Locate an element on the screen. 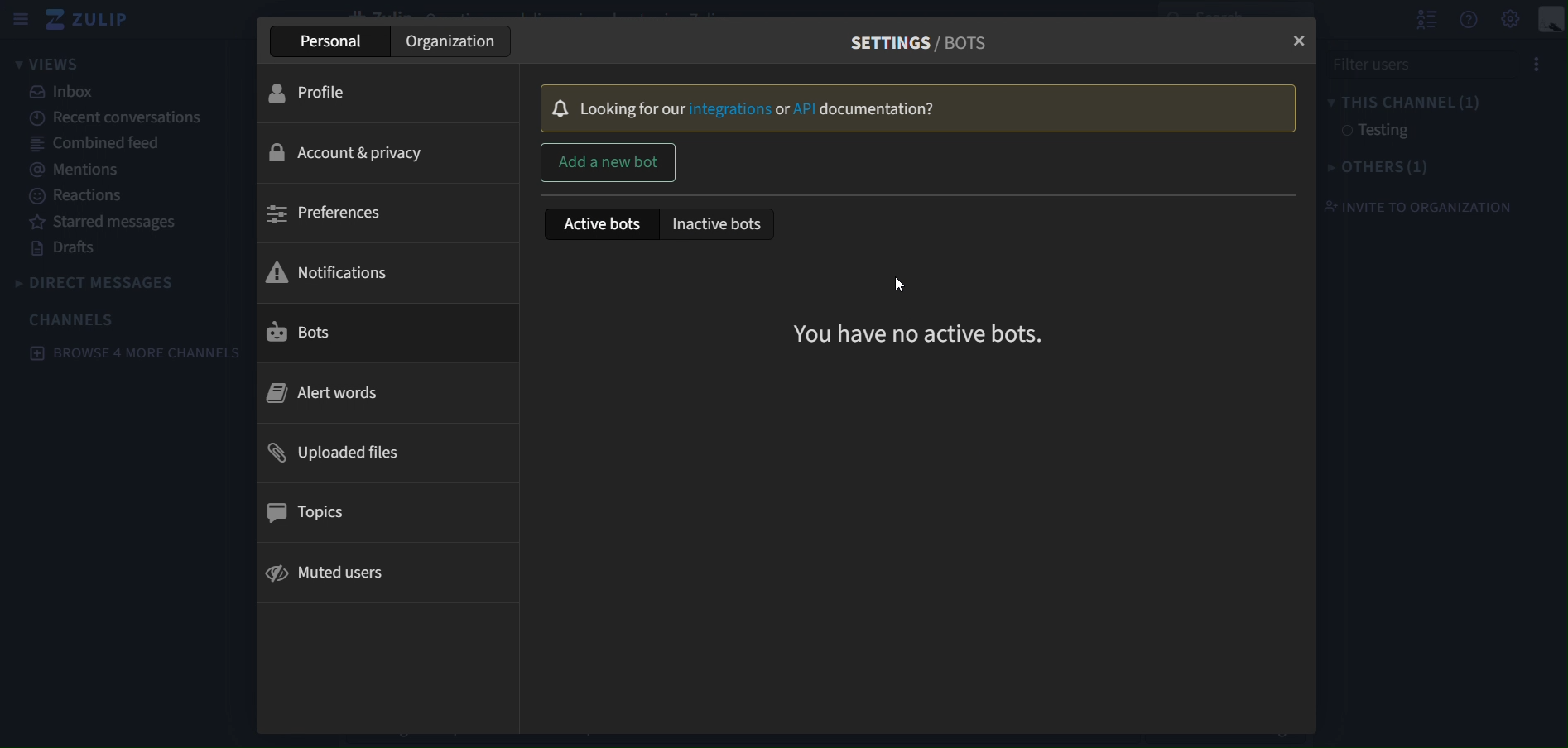 This screenshot has width=1568, height=748. others is located at coordinates (1385, 168).